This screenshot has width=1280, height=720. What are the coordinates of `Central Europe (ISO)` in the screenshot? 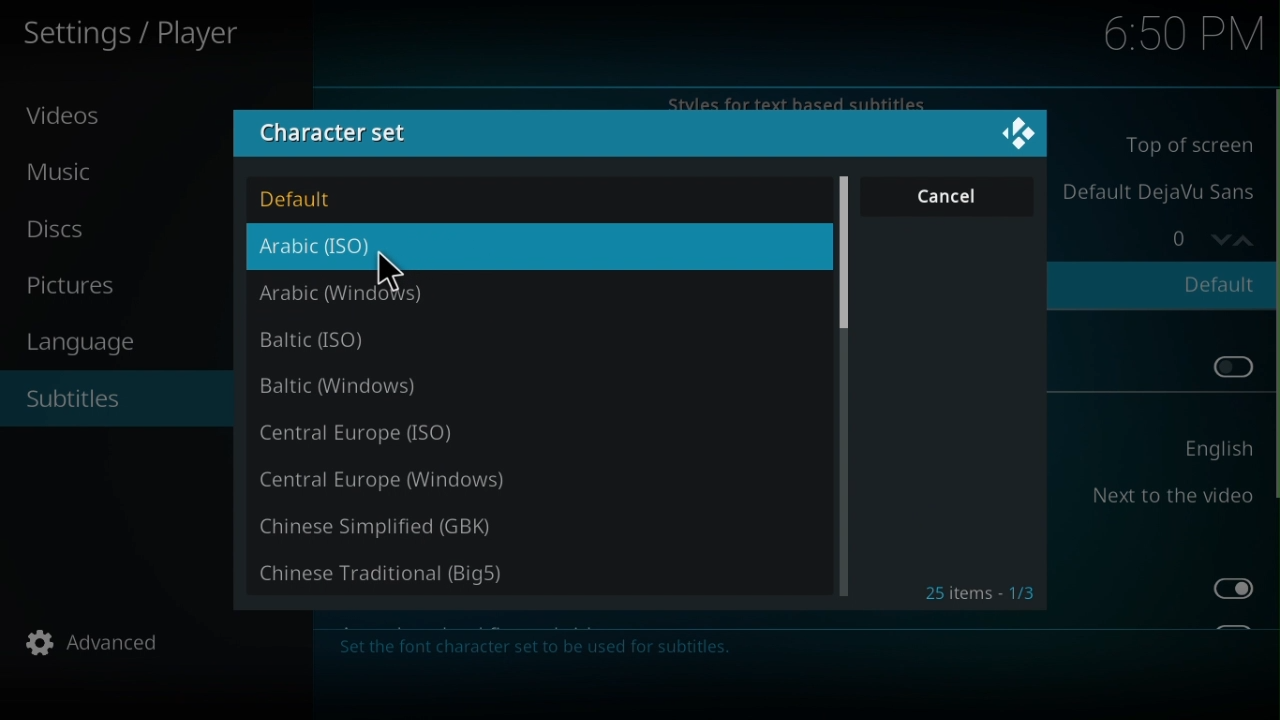 It's located at (359, 428).